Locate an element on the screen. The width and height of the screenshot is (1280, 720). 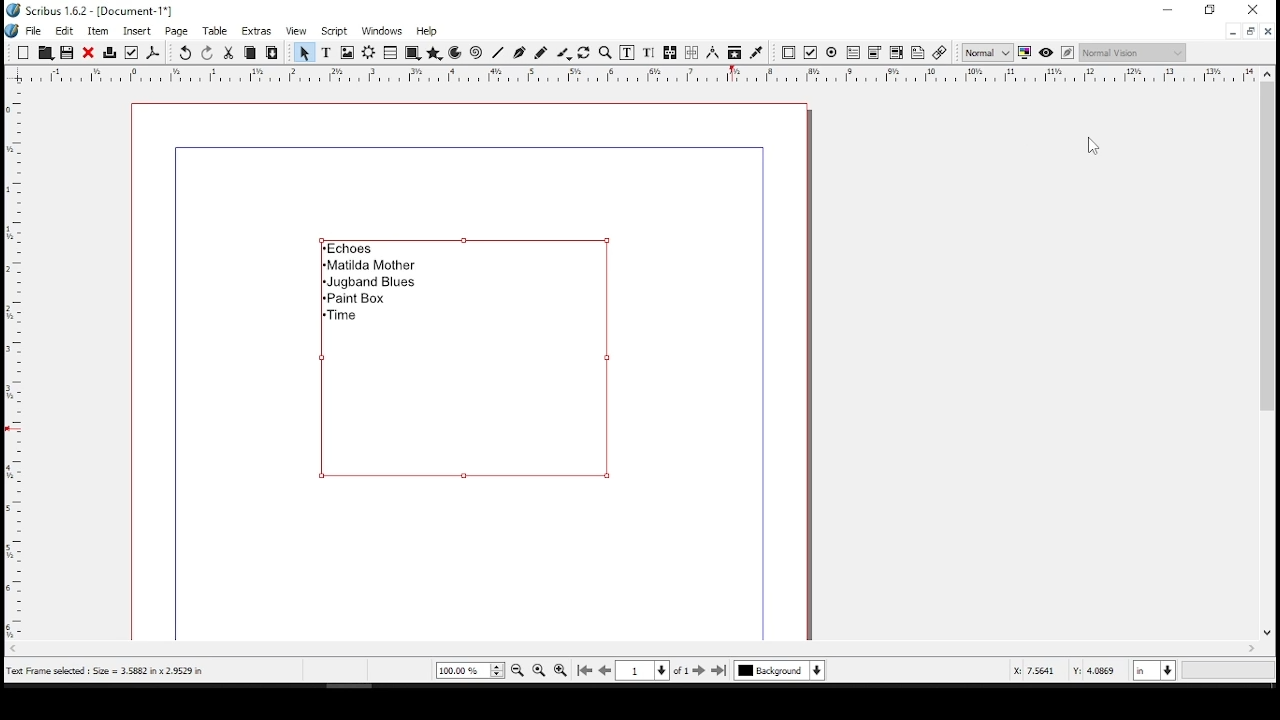
redo is located at coordinates (208, 52).